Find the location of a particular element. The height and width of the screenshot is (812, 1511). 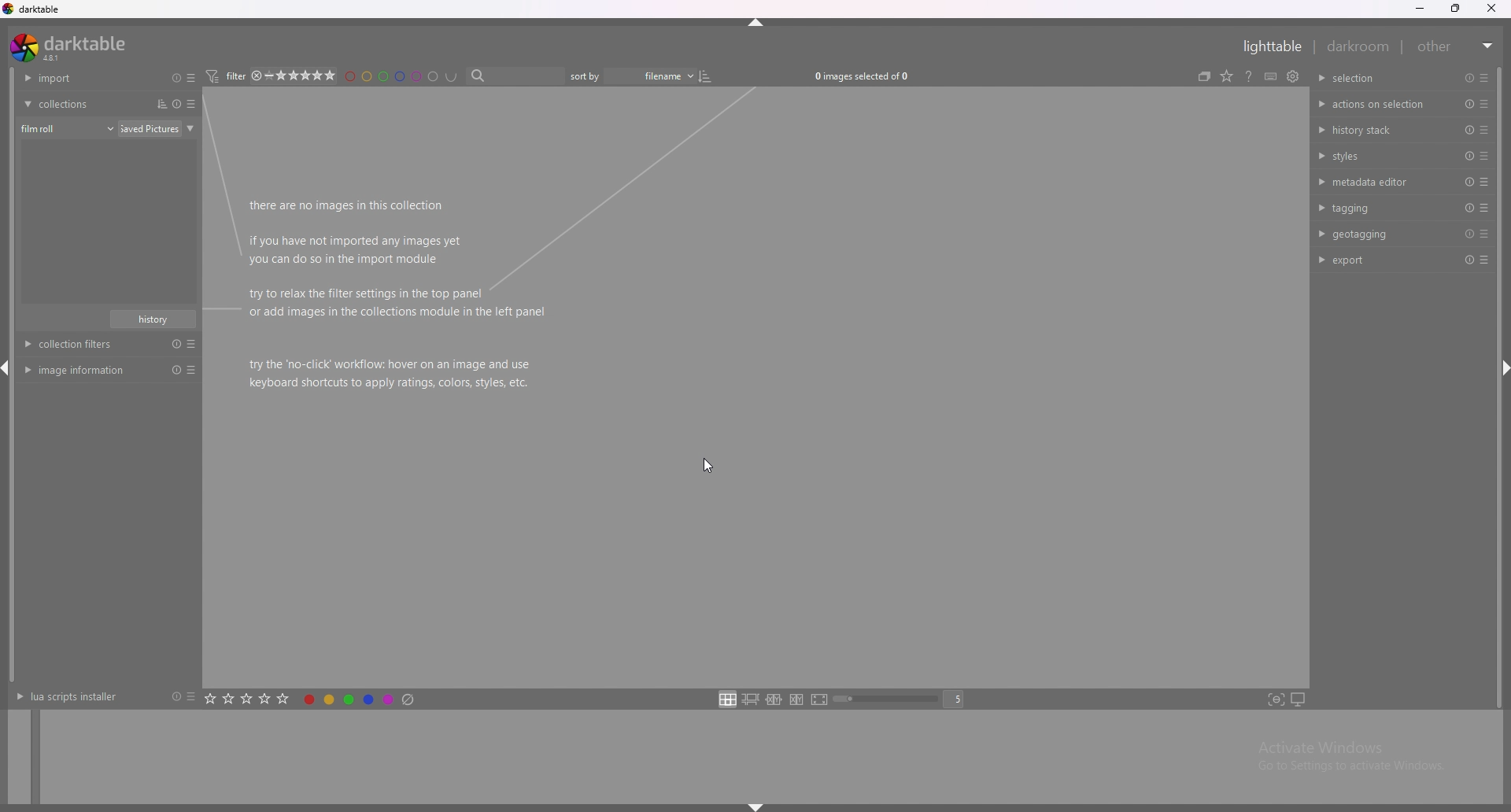

metadata editor is located at coordinates (1376, 182).